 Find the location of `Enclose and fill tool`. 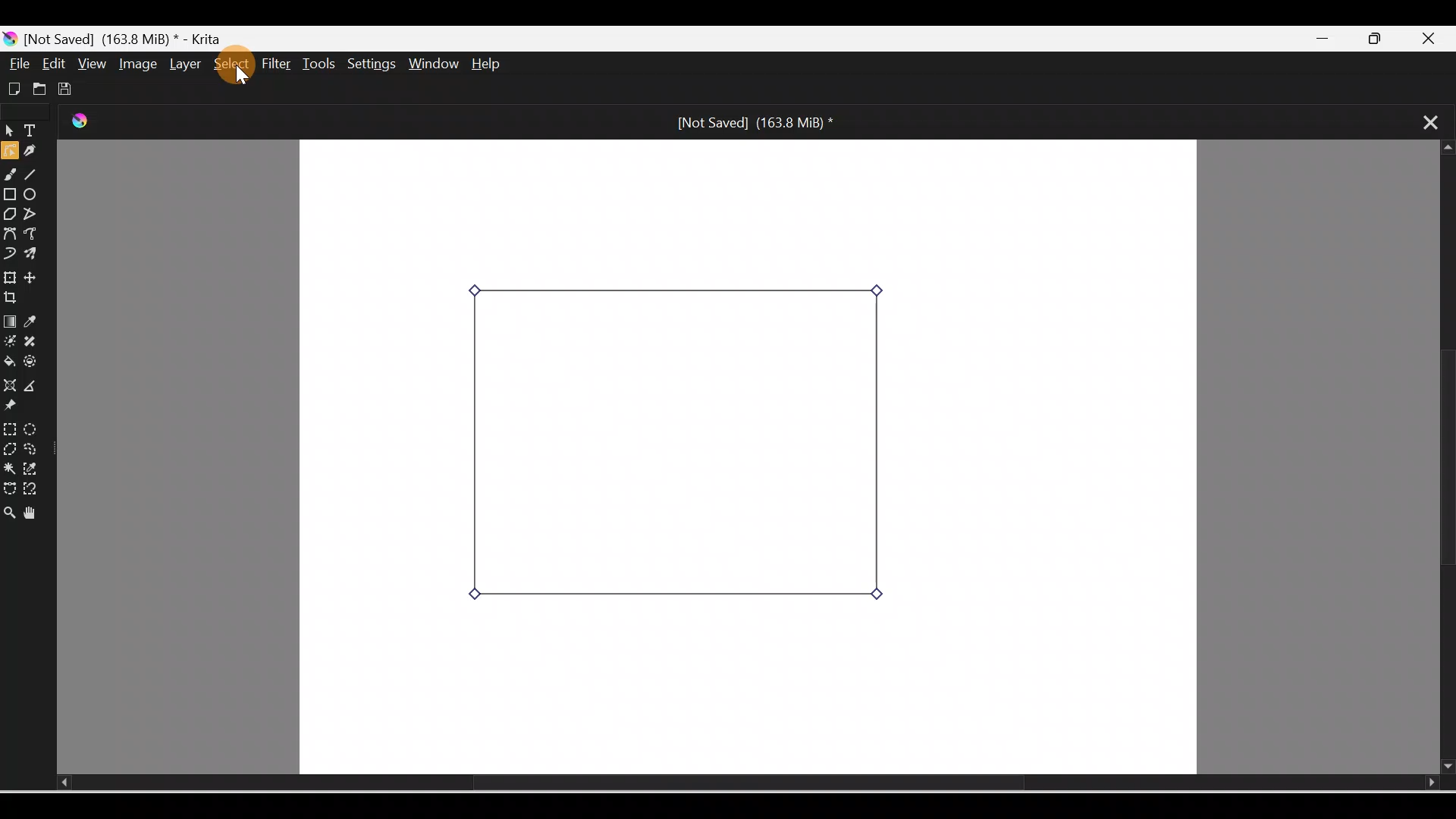

Enclose and fill tool is located at coordinates (36, 365).